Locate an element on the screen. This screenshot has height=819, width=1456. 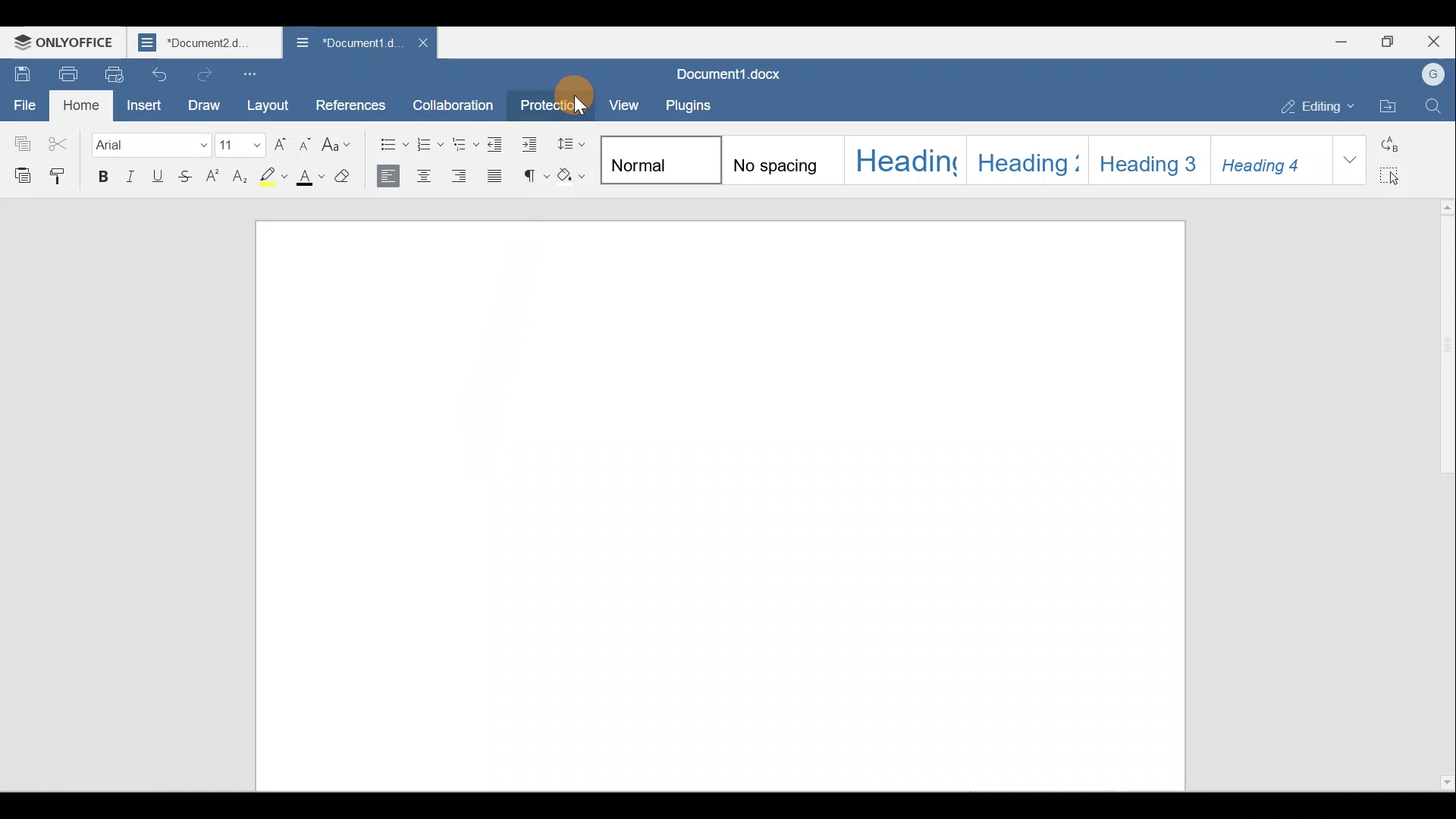
Draw is located at coordinates (209, 106).